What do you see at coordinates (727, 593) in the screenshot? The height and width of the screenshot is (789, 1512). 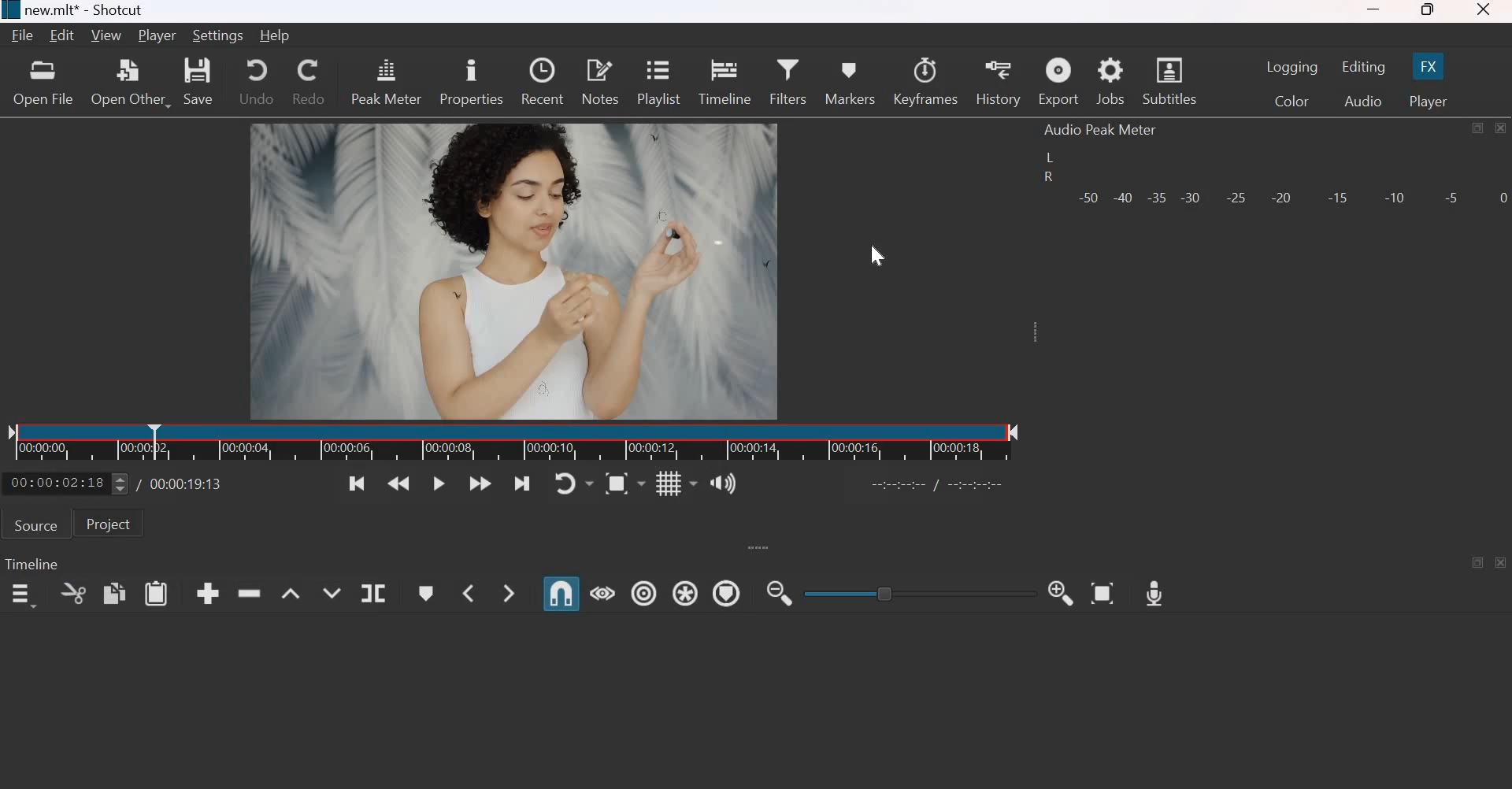 I see `Ripple Markers` at bounding box center [727, 593].